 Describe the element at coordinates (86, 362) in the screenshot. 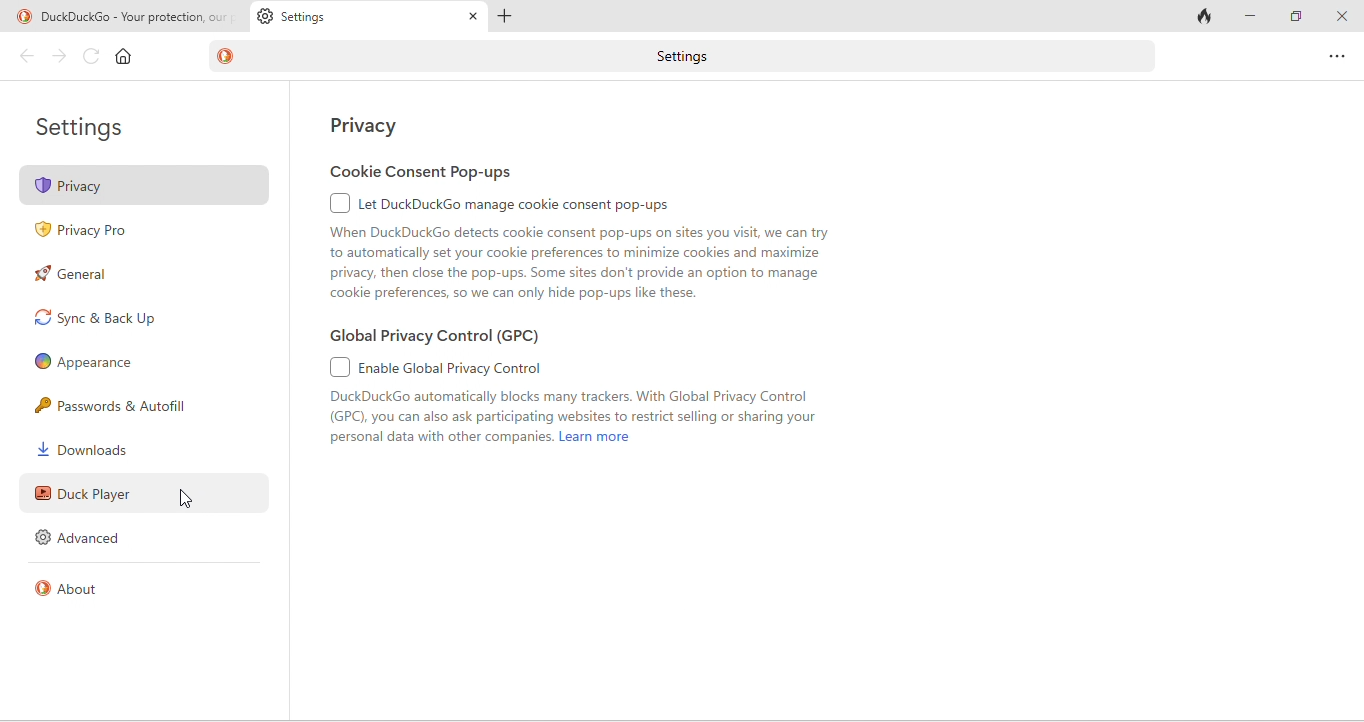

I see `appearance` at that location.